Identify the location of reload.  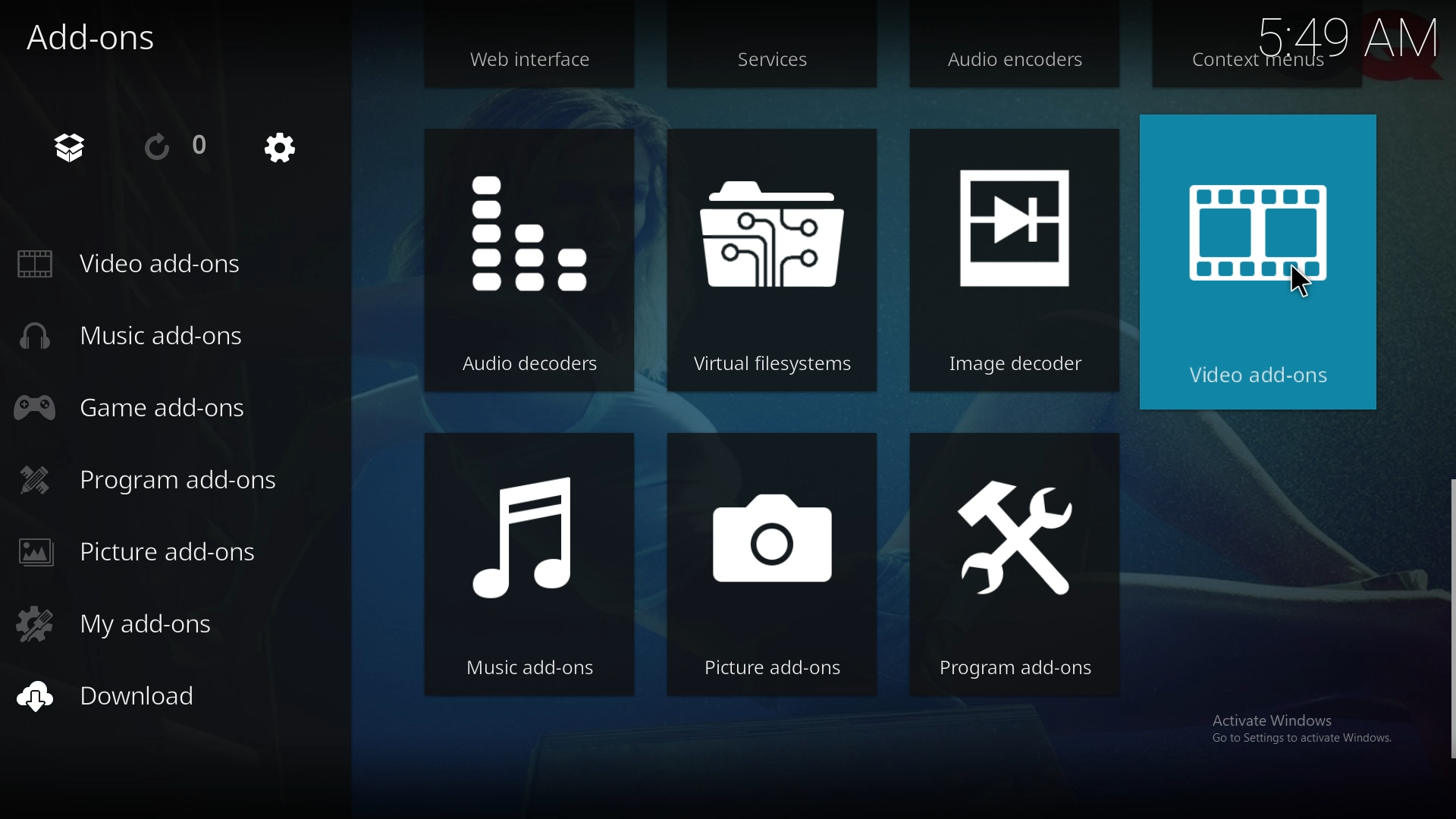
(179, 149).